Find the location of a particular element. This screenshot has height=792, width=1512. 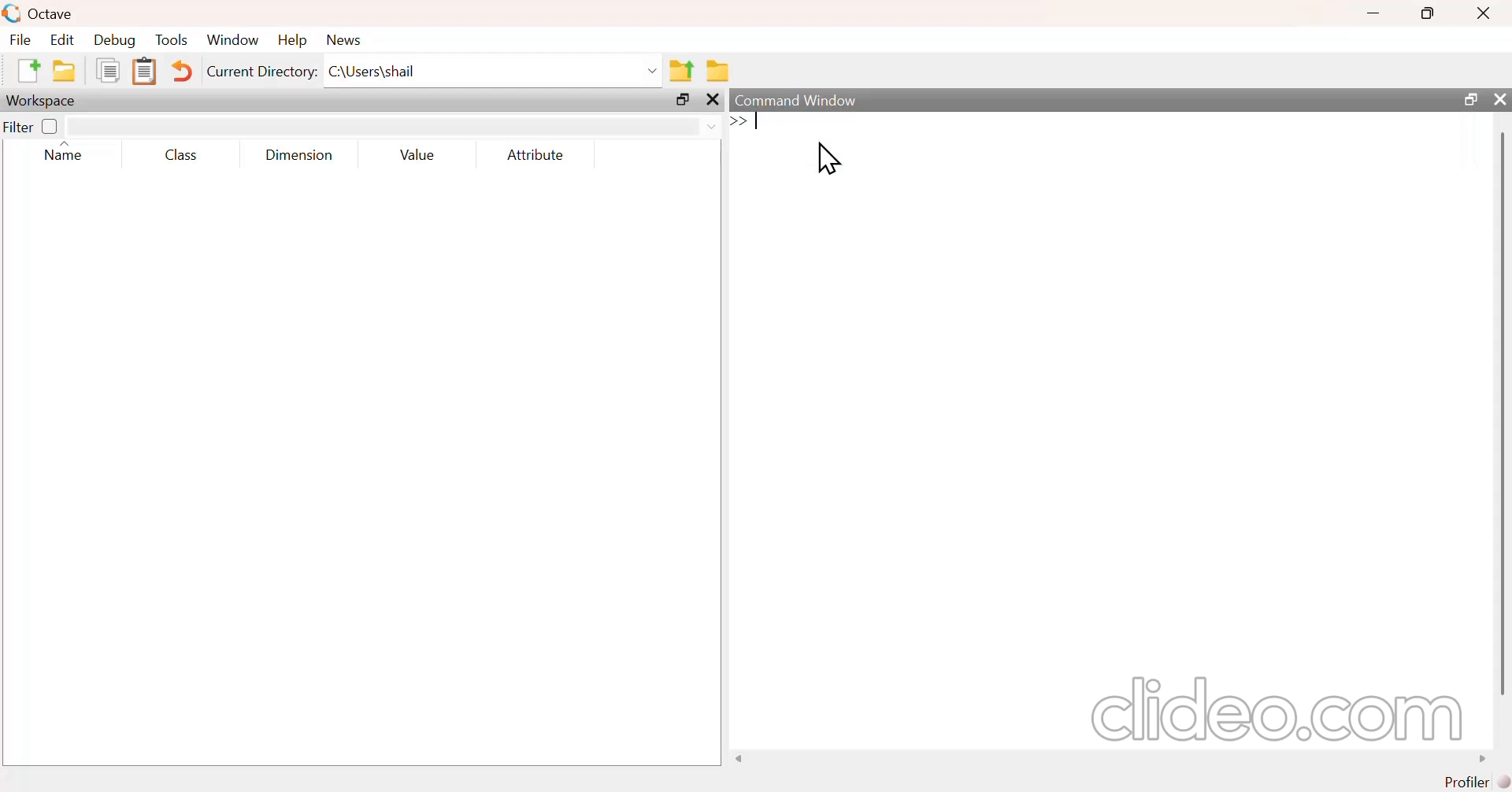

scrollbar is located at coordinates (1503, 412).